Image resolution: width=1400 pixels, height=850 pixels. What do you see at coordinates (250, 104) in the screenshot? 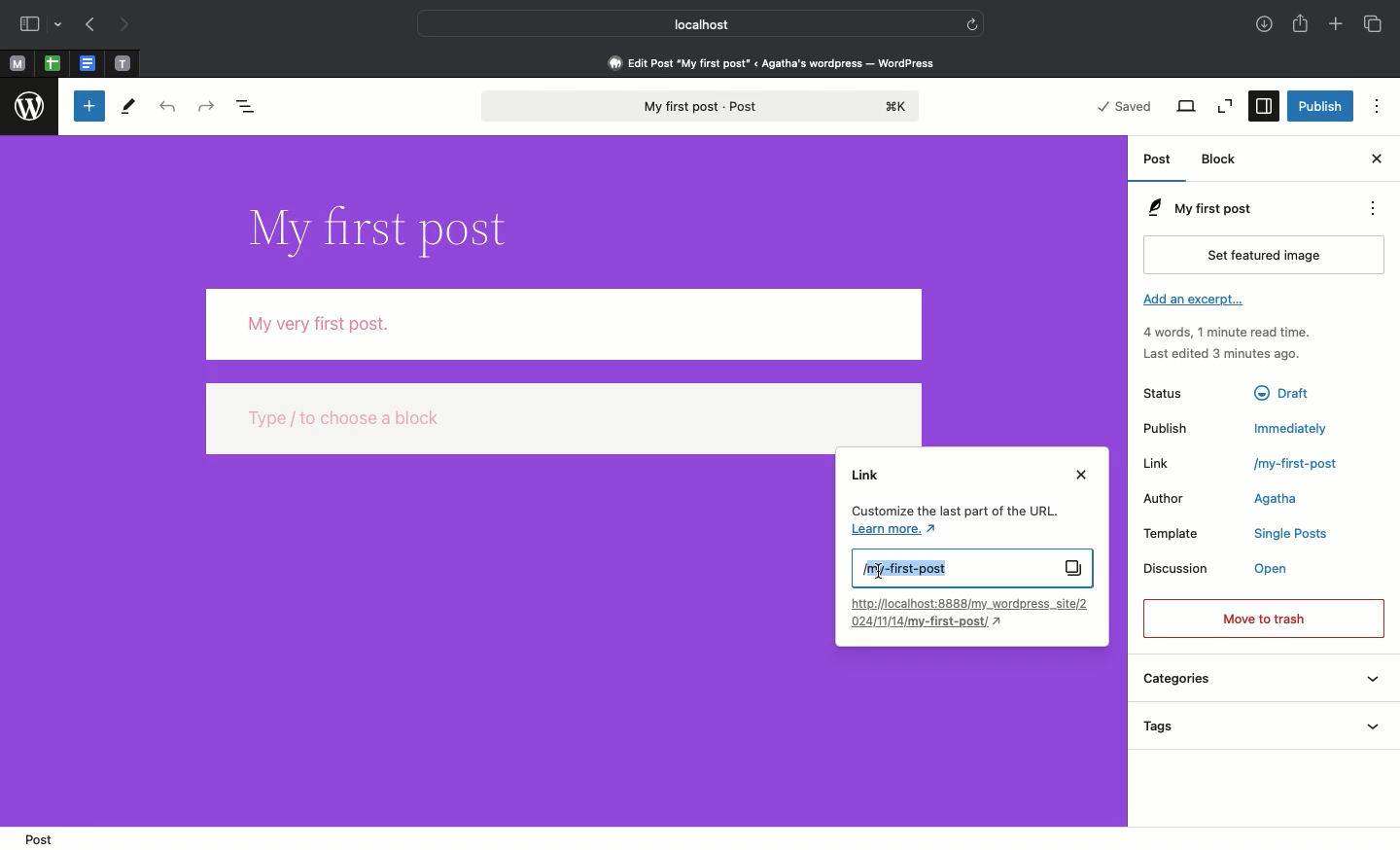
I see `Document overview` at bounding box center [250, 104].